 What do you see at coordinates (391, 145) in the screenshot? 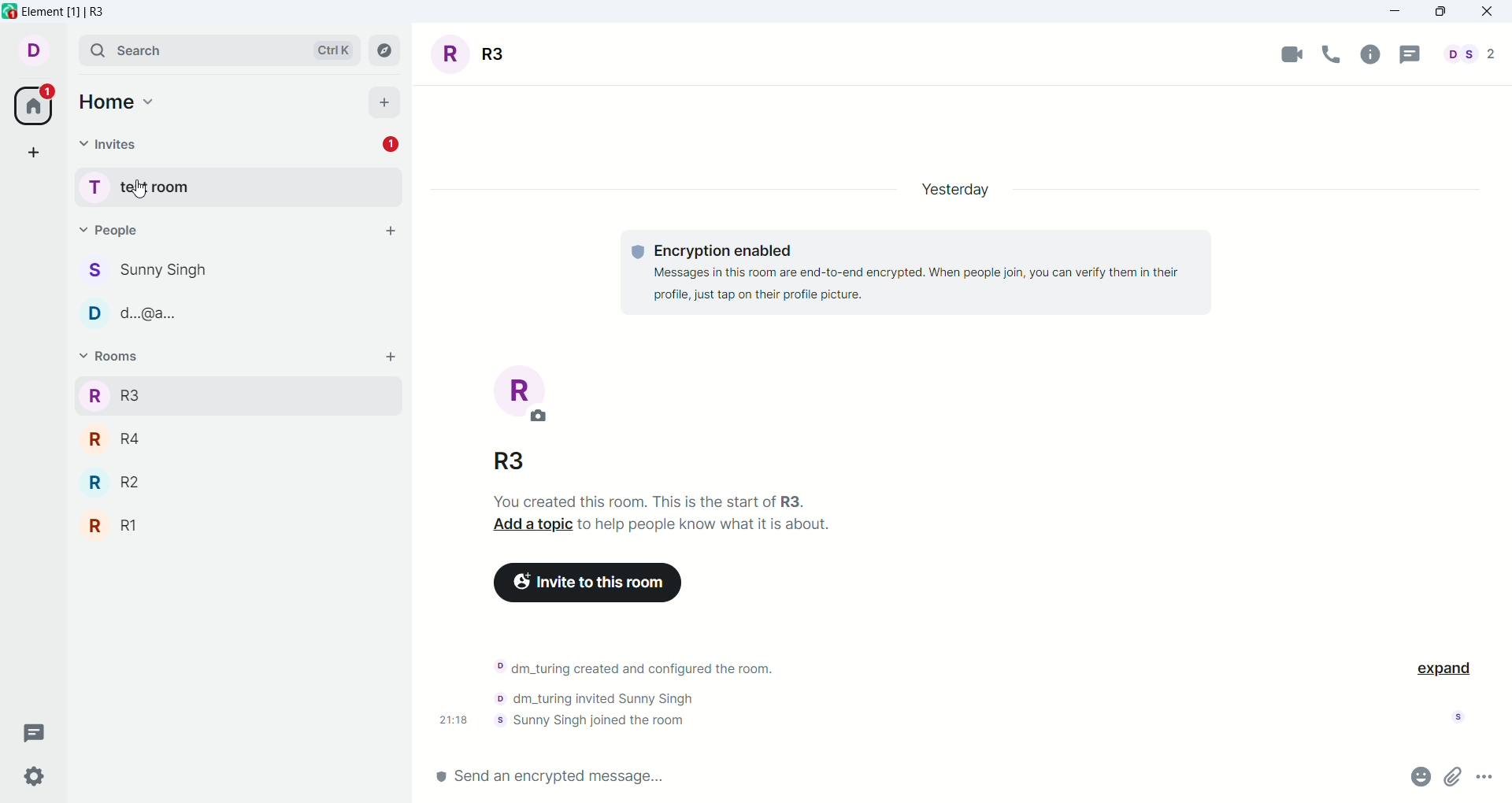
I see `1 invite` at bounding box center [391, 145].